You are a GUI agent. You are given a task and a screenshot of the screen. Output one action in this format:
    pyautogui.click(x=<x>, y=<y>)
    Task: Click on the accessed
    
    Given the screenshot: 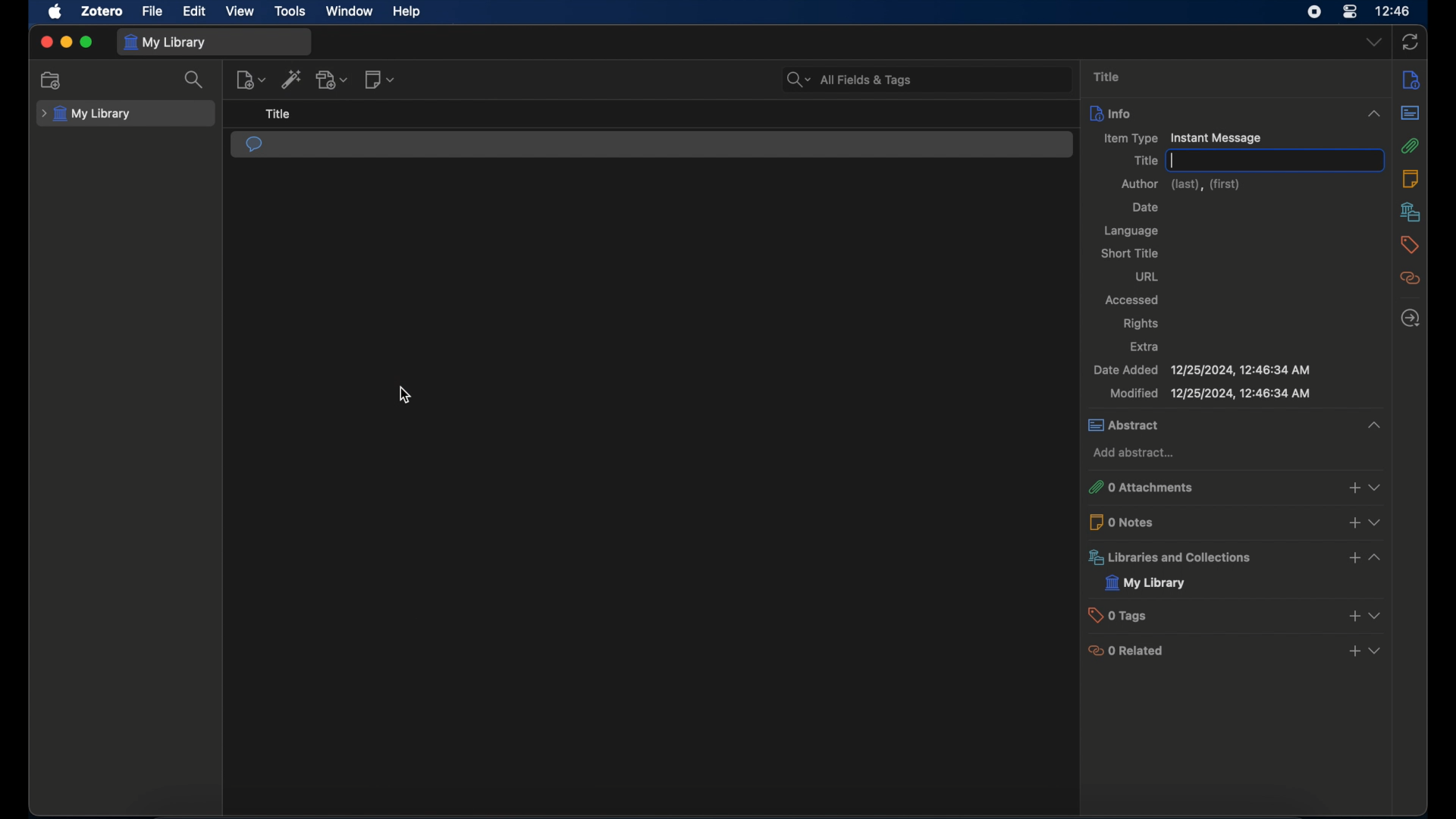 What is the action you would take?
    pyautogui.click(x=1132, y=300)
    